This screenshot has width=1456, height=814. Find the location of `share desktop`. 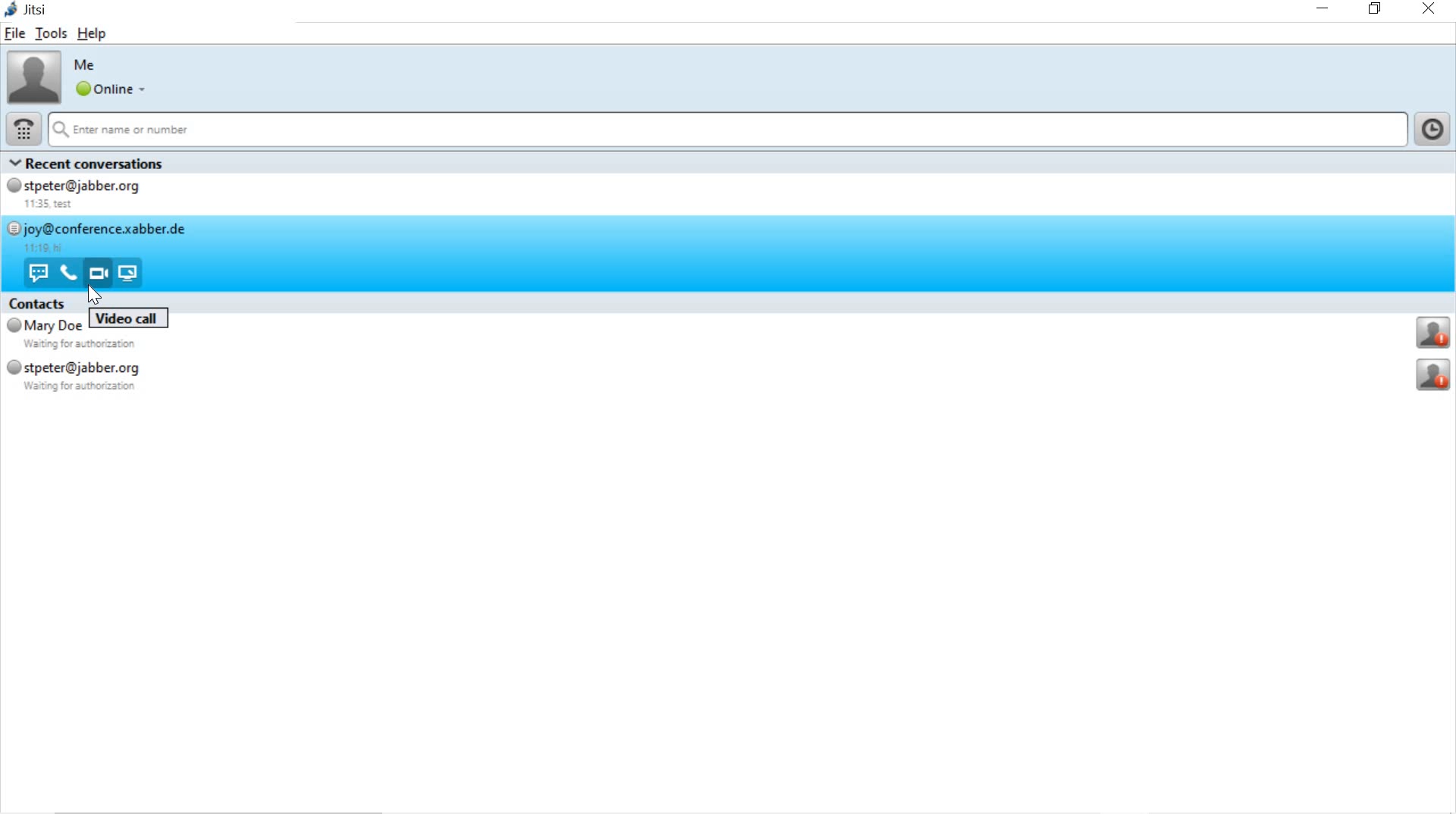

share desktop is located at coordinates (133, 273).